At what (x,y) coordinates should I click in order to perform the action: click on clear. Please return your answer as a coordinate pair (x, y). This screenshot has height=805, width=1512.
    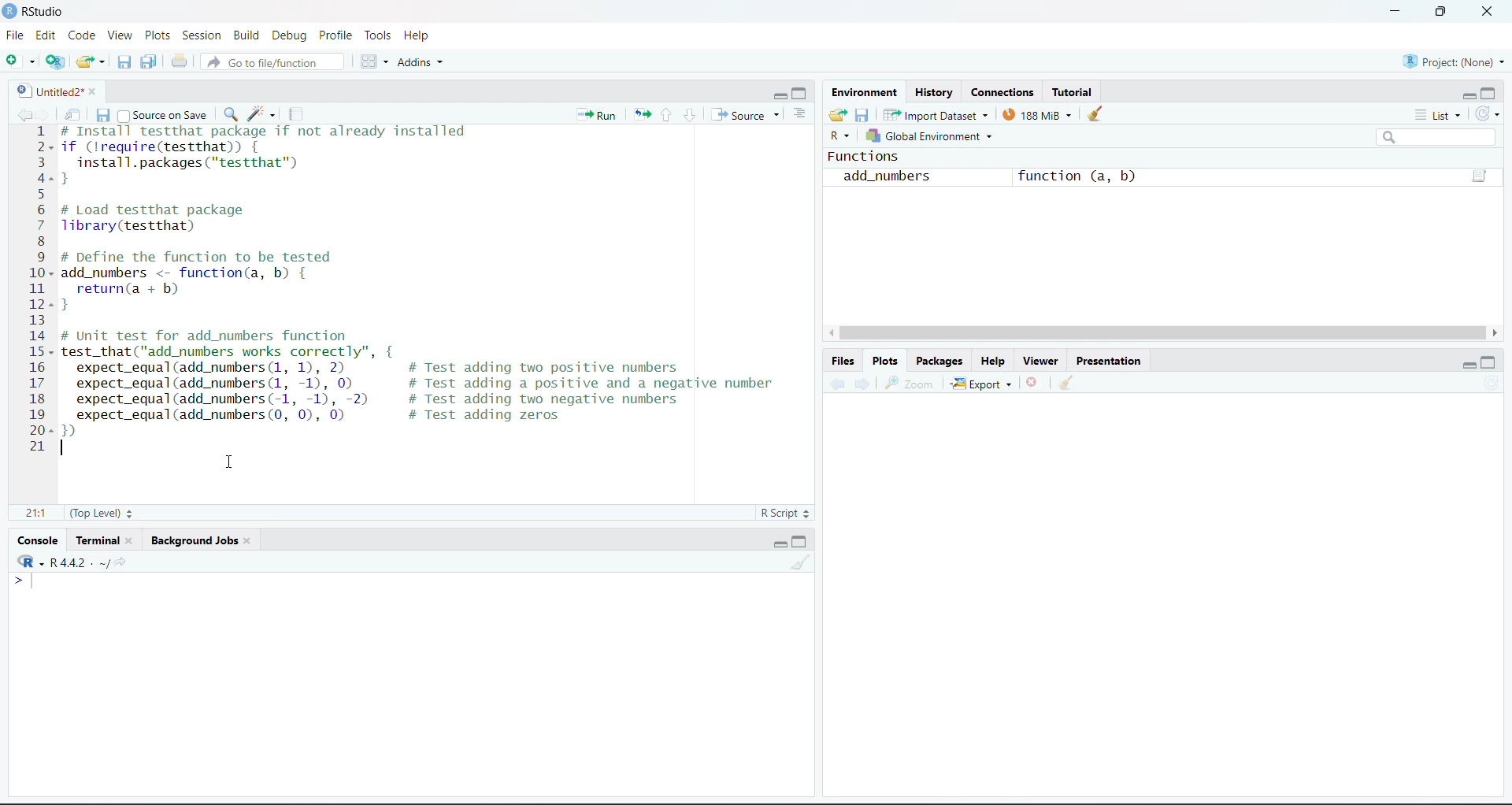
    Looking at the image, I should click on (1066, 381).